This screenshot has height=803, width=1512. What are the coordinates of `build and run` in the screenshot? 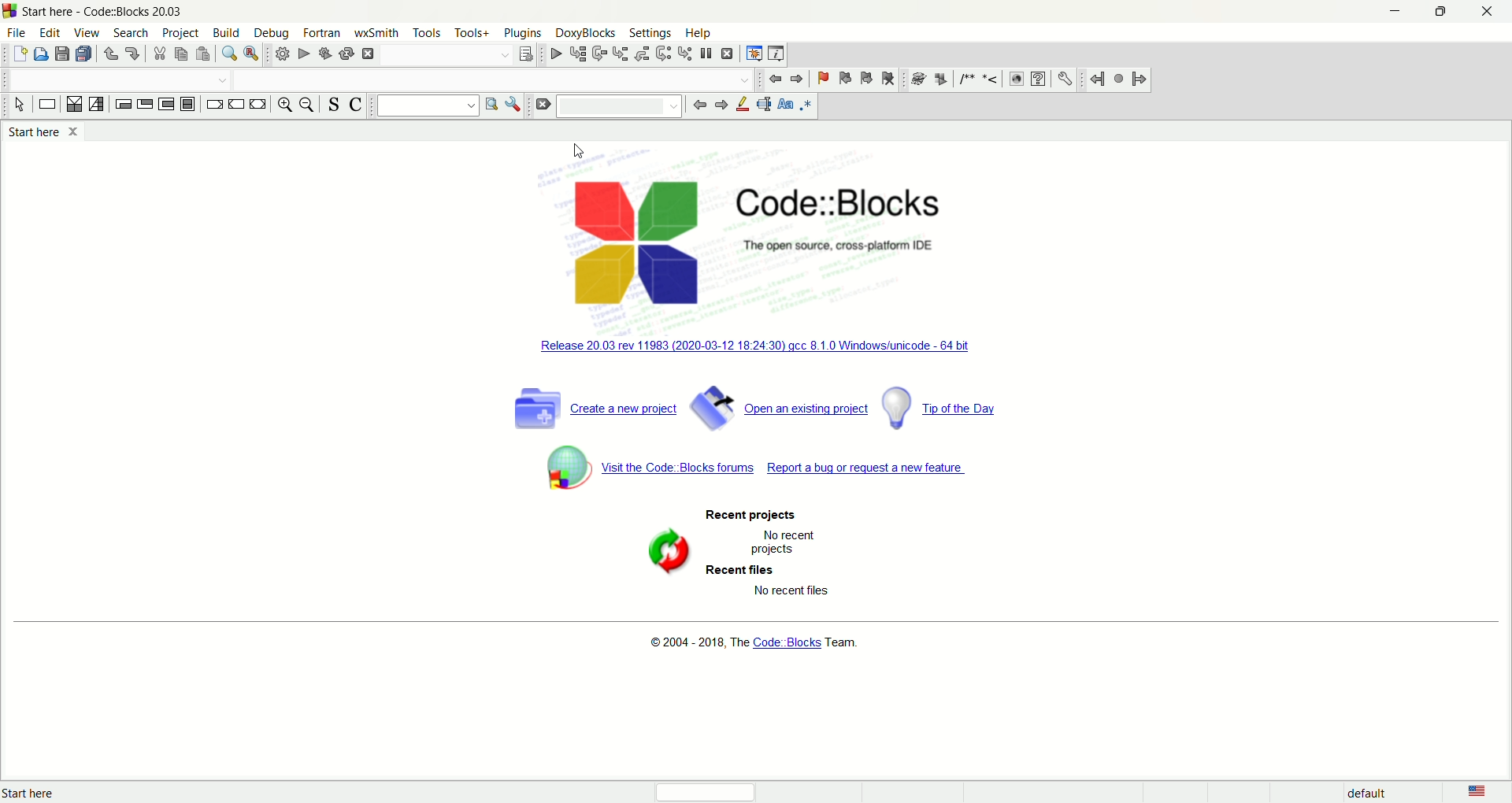 It's located at (324, 54).